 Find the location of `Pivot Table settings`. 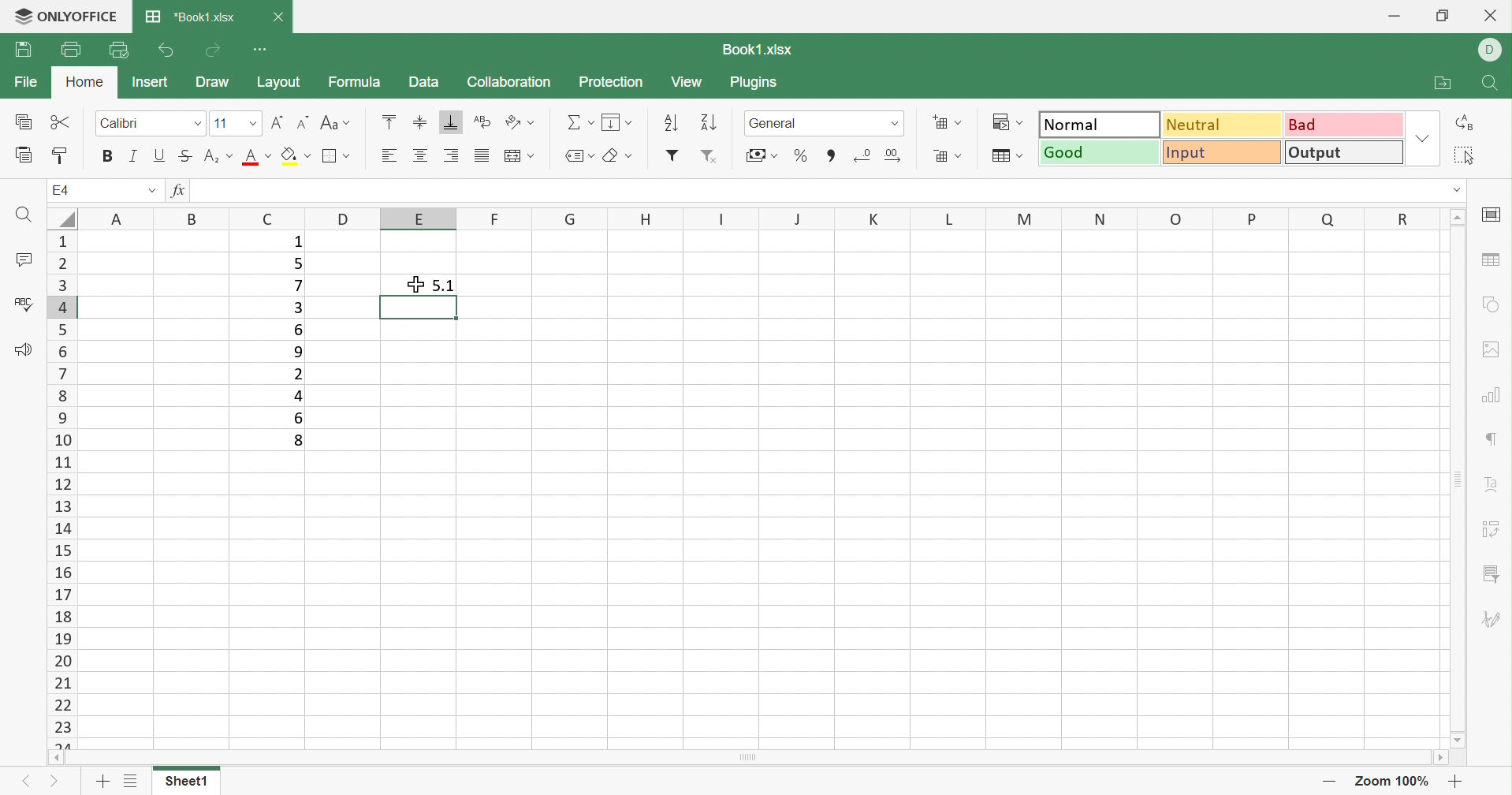

Pivot Table settings is located at coordinates (1492, 528).